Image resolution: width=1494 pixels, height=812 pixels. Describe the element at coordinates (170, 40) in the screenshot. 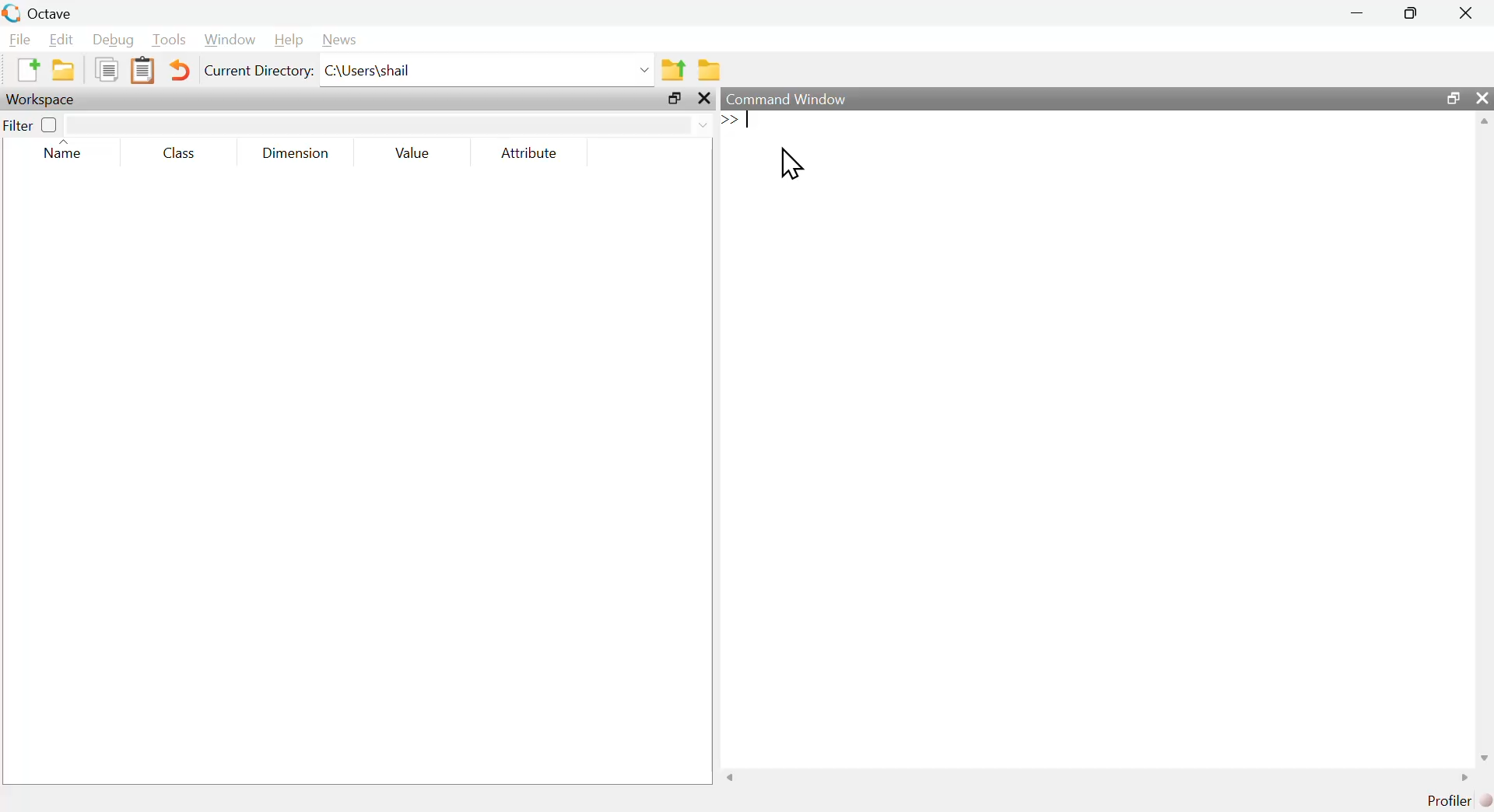

I see `Tools` at that location.